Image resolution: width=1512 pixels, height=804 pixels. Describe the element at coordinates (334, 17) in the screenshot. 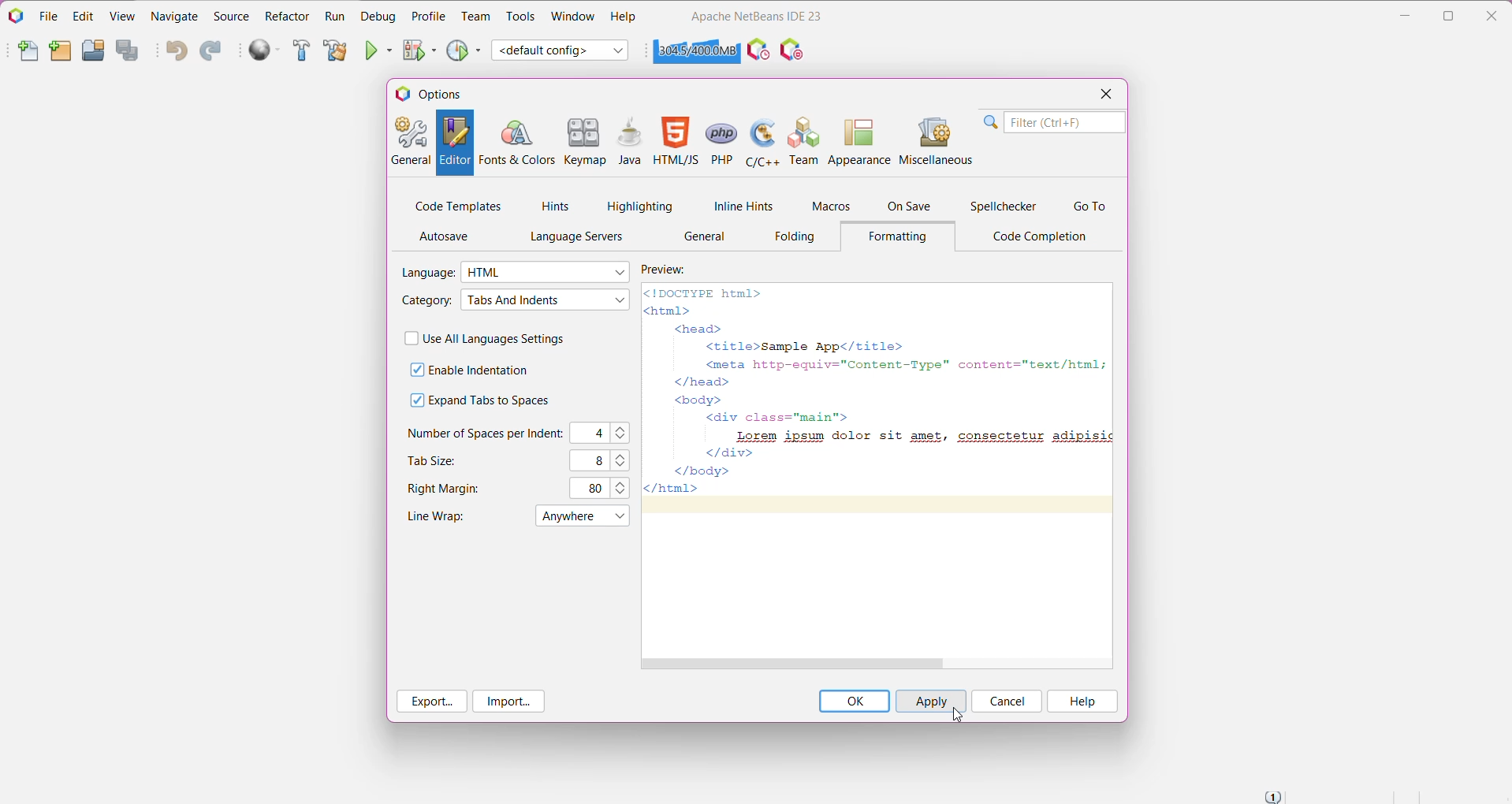

I see `Run` at that location.